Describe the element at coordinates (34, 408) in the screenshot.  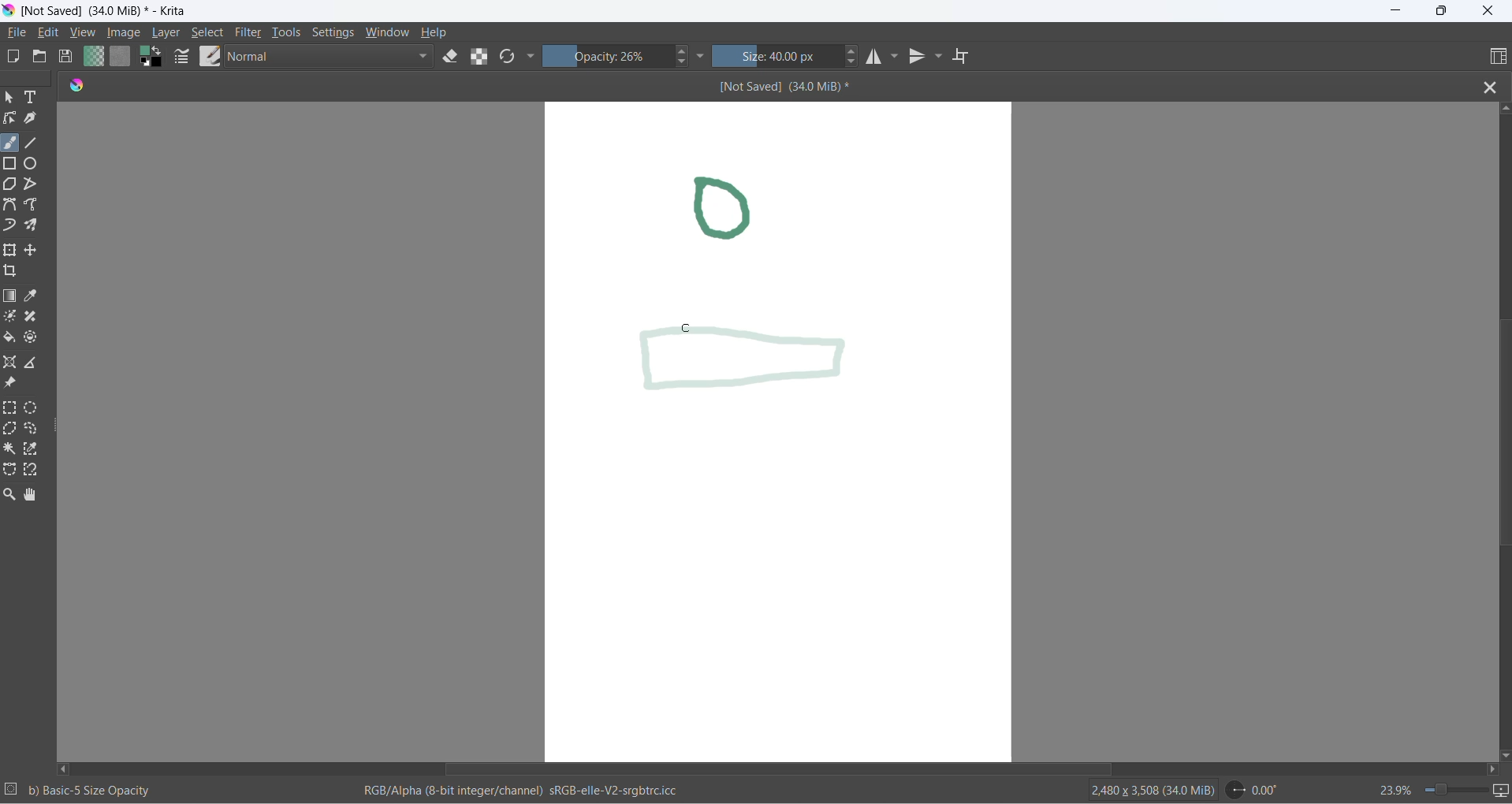
I see `elliptical selection tool` at that location.